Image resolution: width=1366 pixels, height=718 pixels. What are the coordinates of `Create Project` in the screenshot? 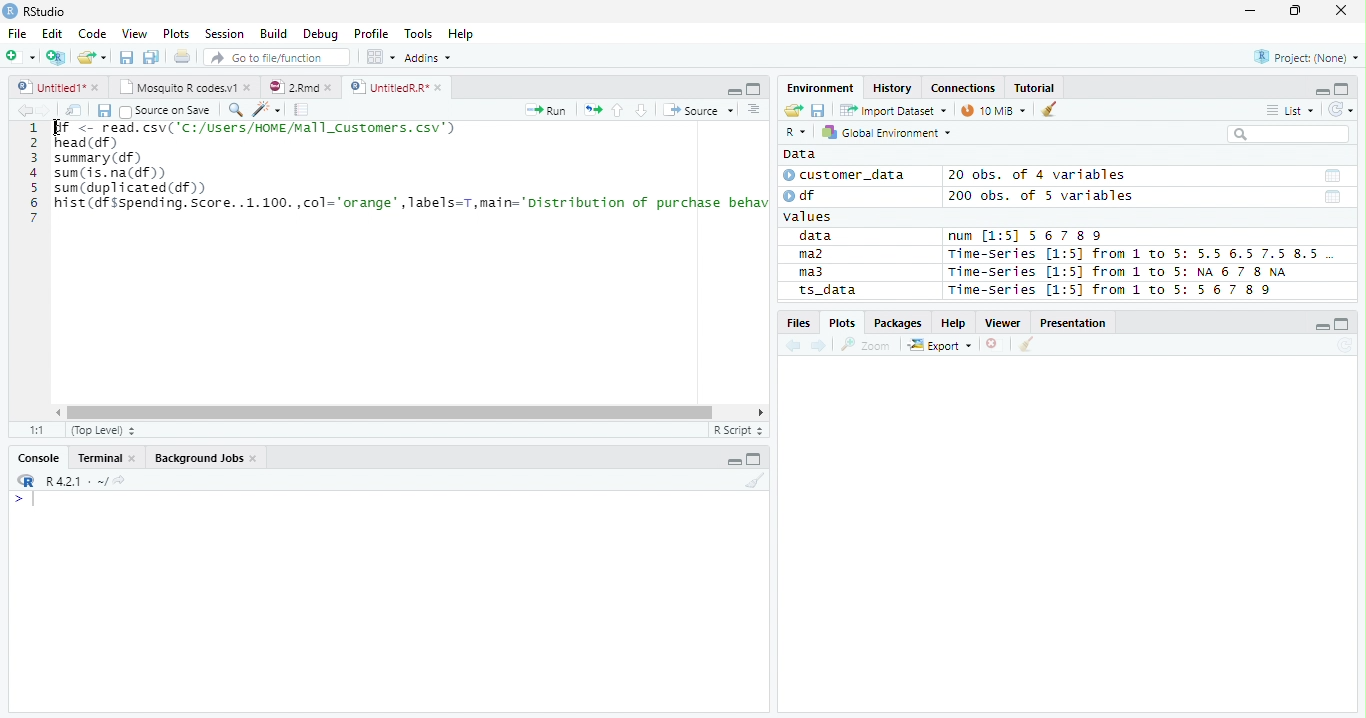 It's located at (57, 57).